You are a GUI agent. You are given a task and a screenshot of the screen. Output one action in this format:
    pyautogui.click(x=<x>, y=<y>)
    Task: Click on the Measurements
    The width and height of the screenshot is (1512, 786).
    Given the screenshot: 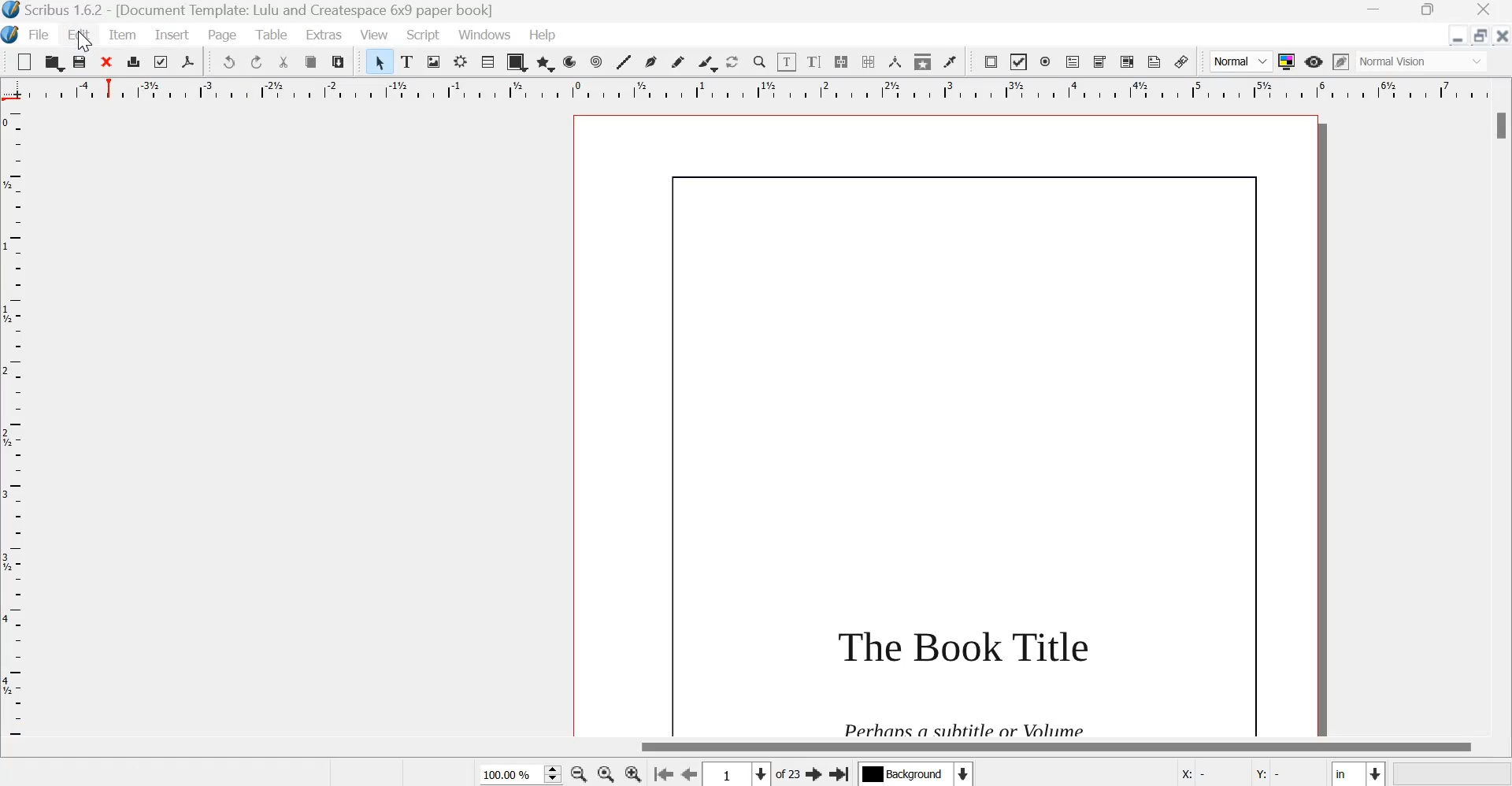 What is the action you would take?
    pyautogui.click(x=895, y=63)
    